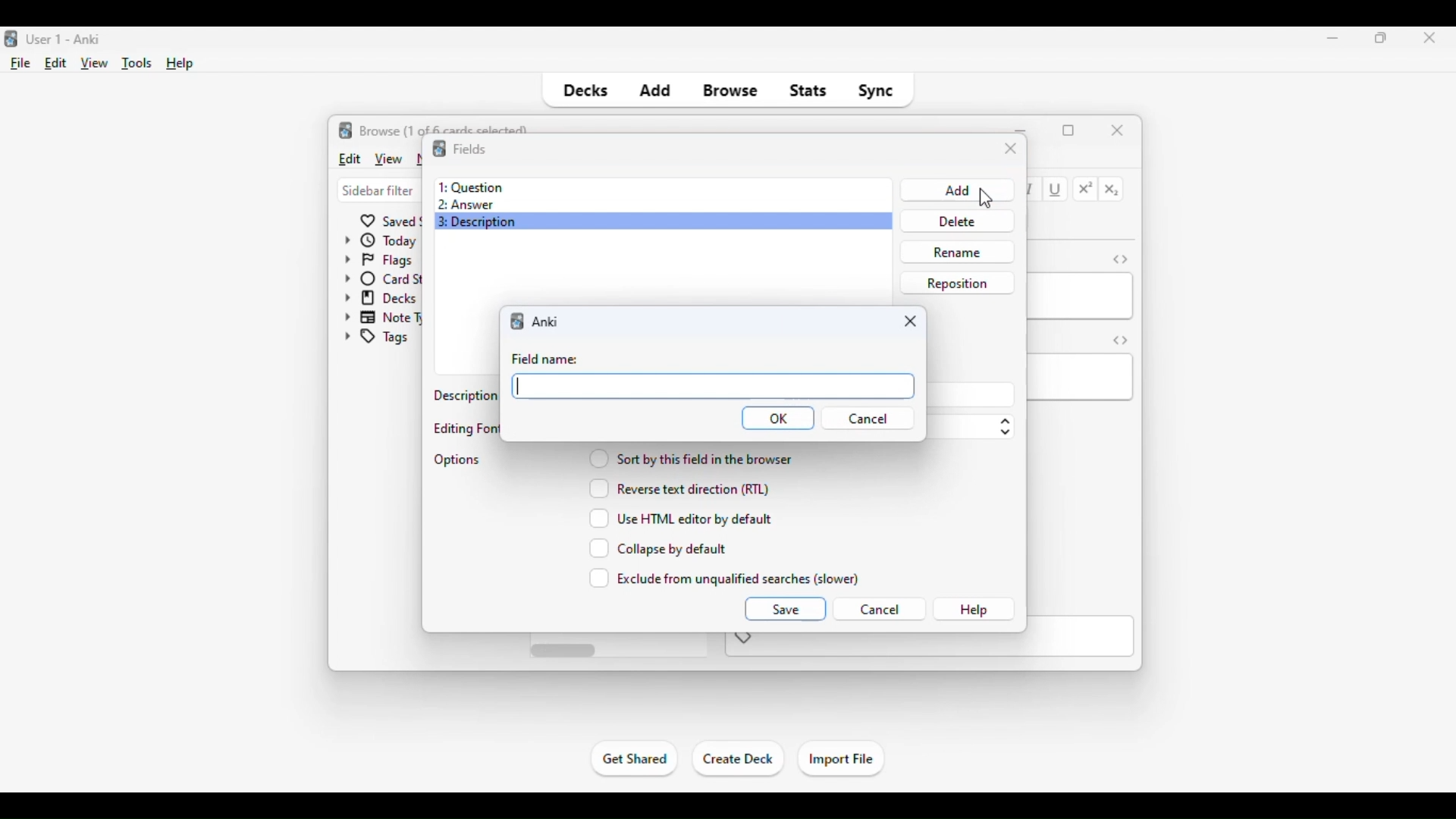  Describe the element at coordinates (584, 91) in the screenshot. I see `decks` at that location.